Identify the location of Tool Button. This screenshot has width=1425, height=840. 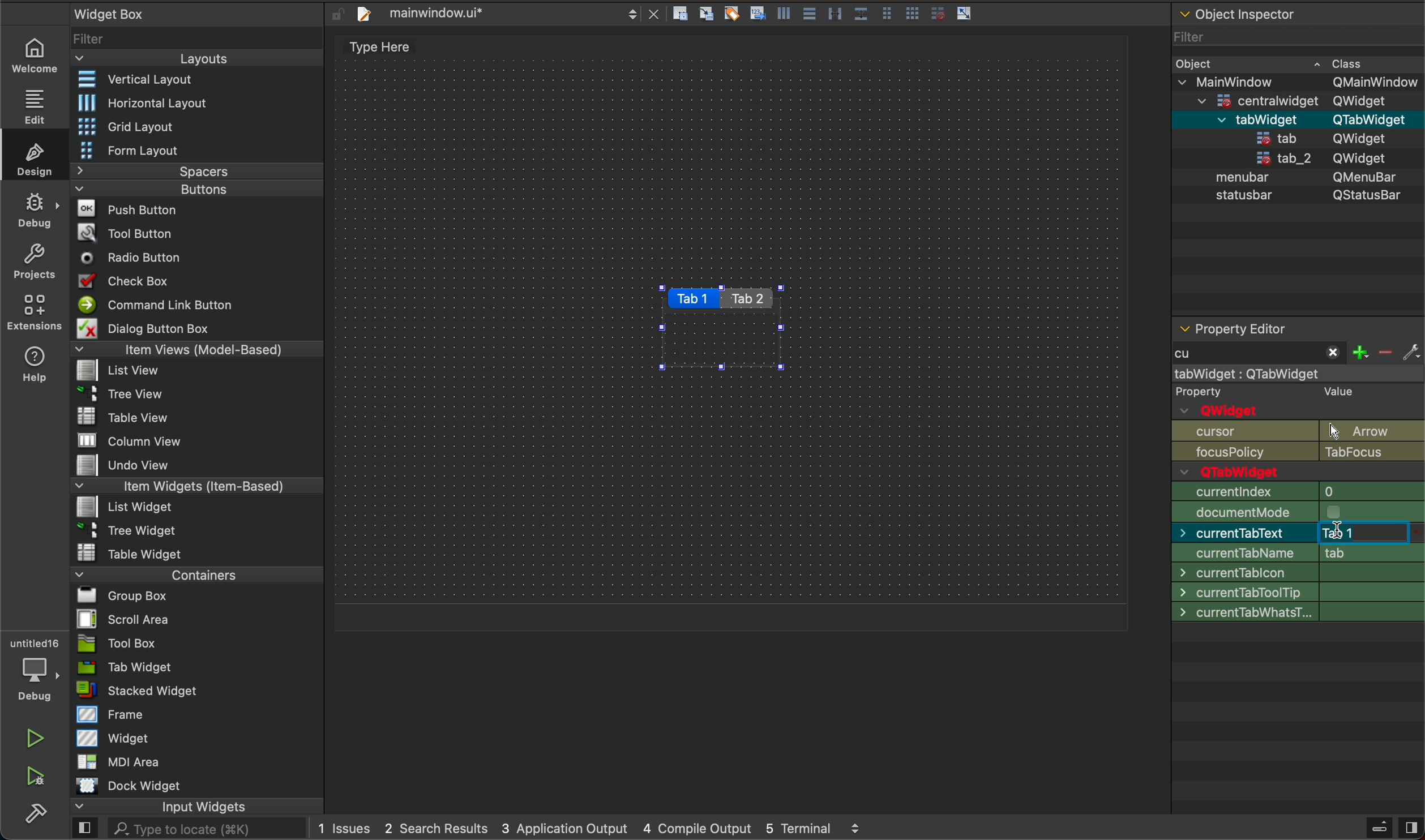
(125, 235).